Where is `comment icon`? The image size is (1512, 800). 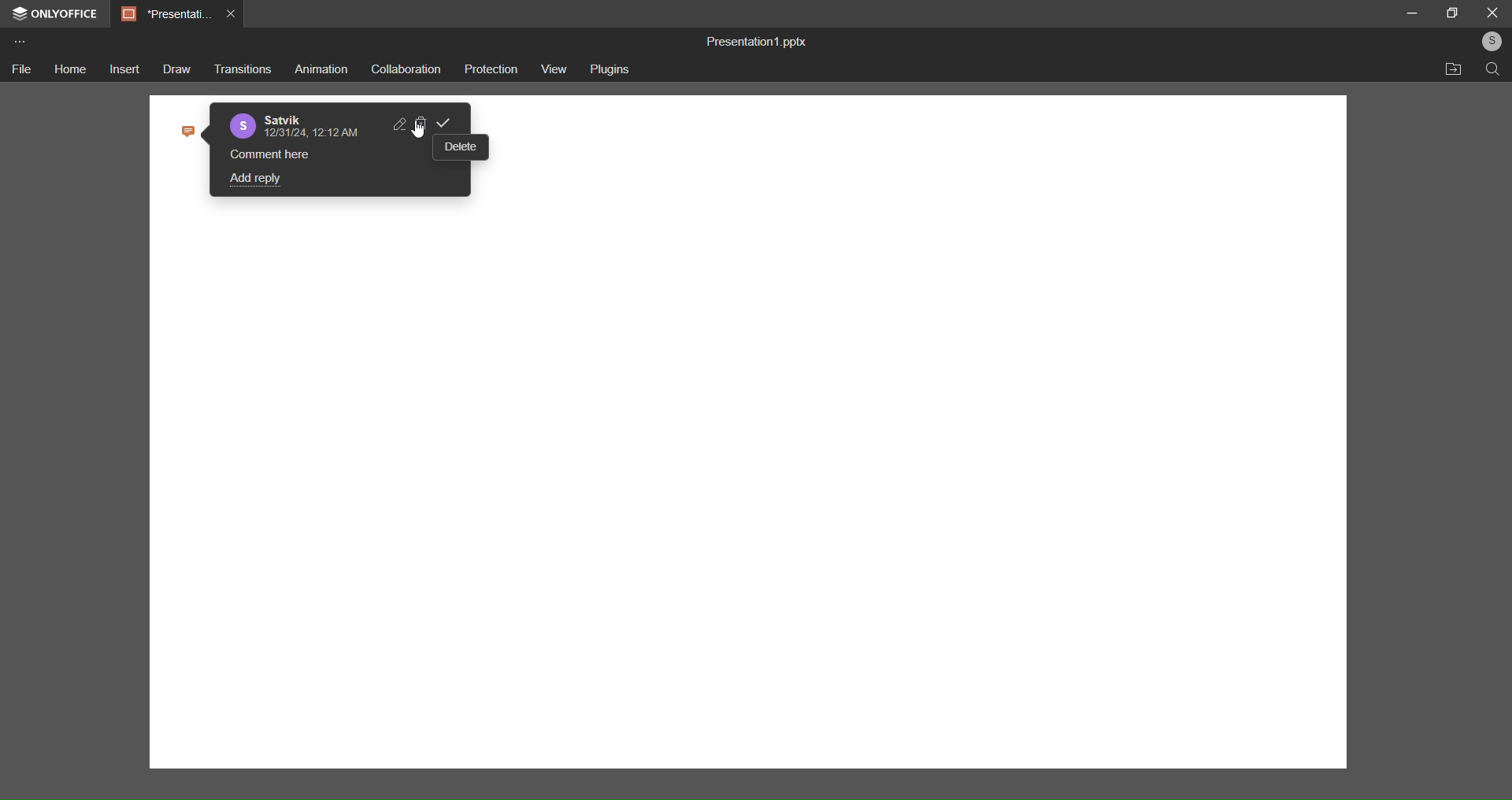
comment icon is located at coordinates (198, 131).